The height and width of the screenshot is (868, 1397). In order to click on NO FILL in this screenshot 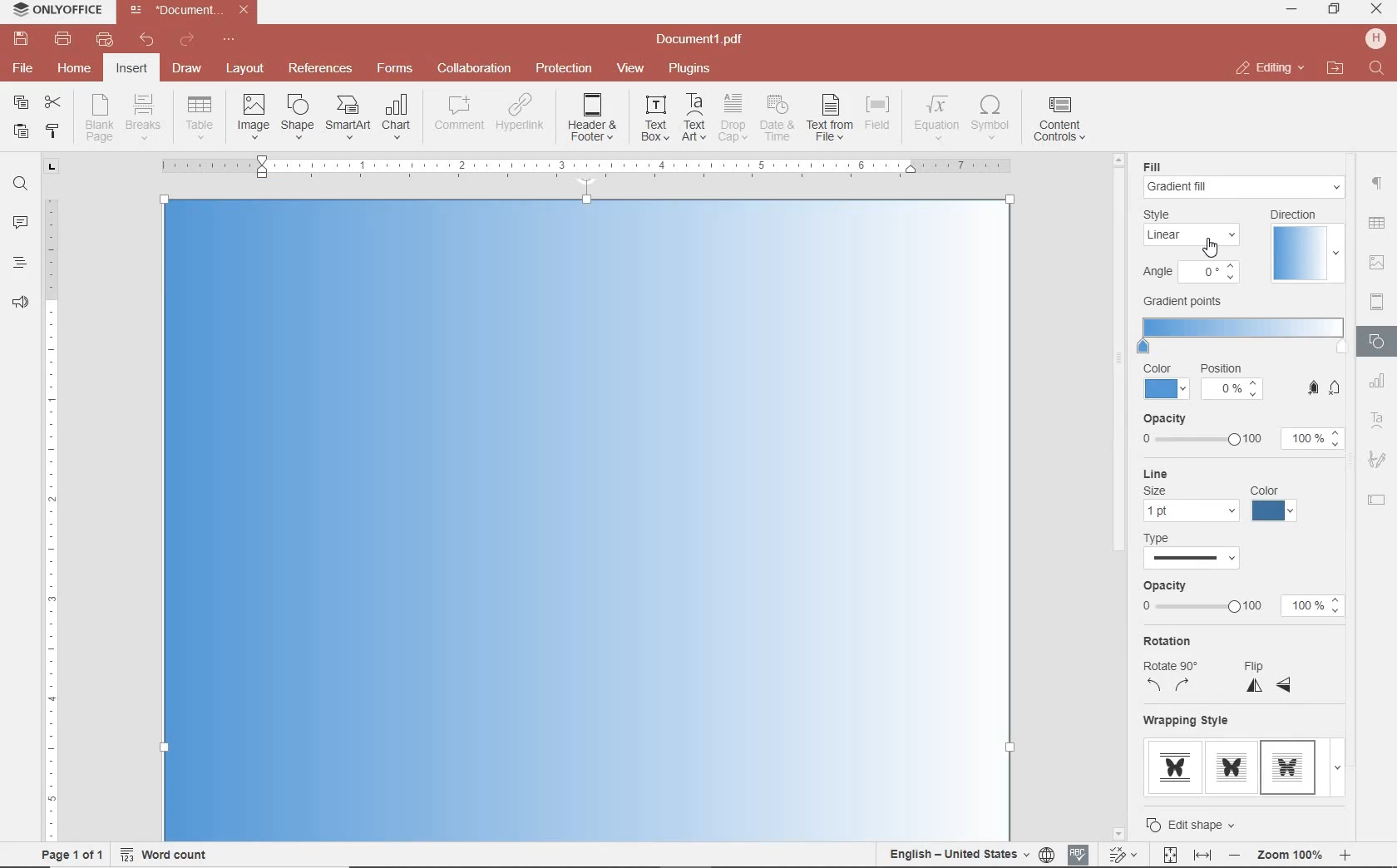, I will do `click(1242, 331)`.